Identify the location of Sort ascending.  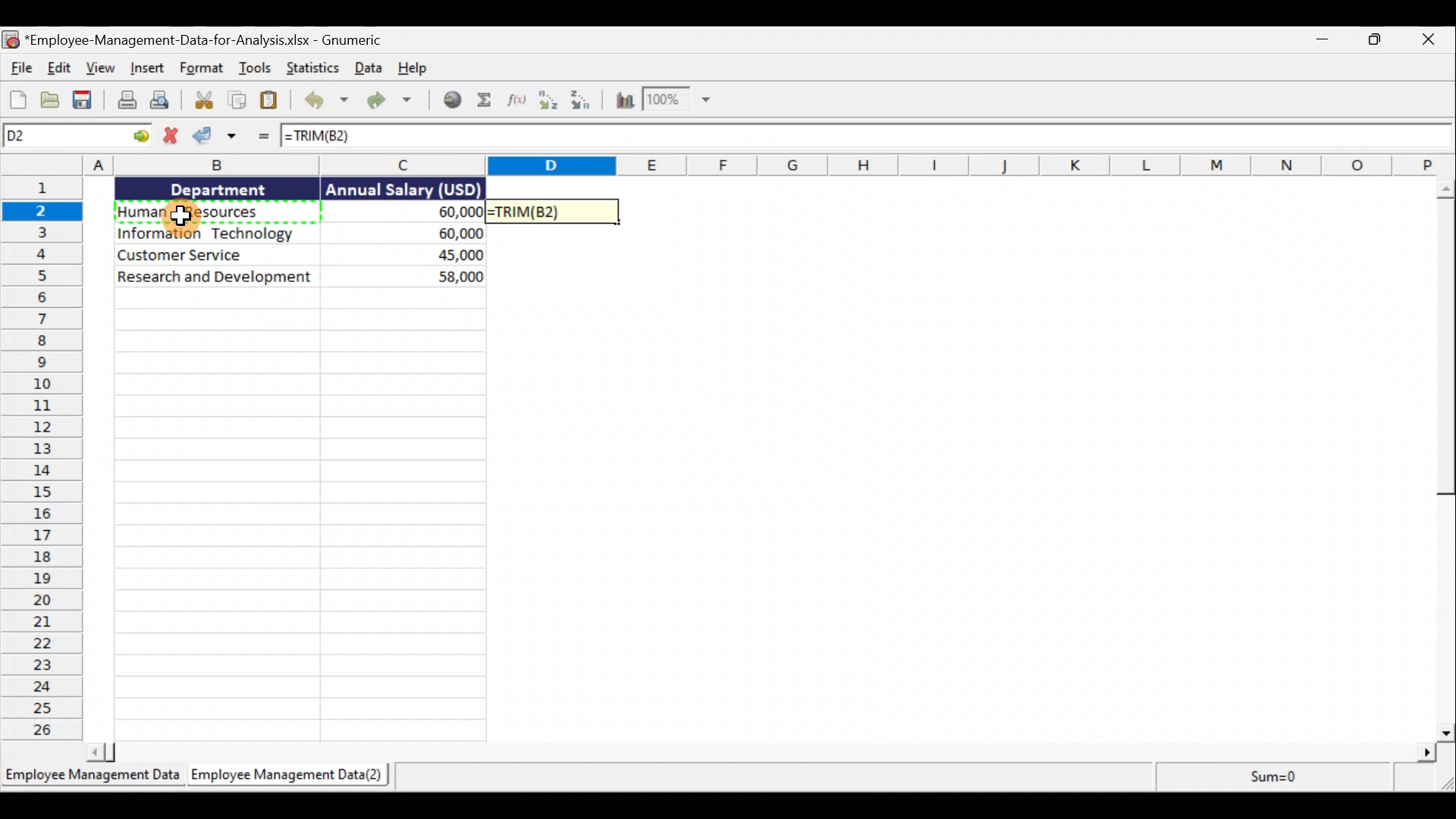
(549, 103).